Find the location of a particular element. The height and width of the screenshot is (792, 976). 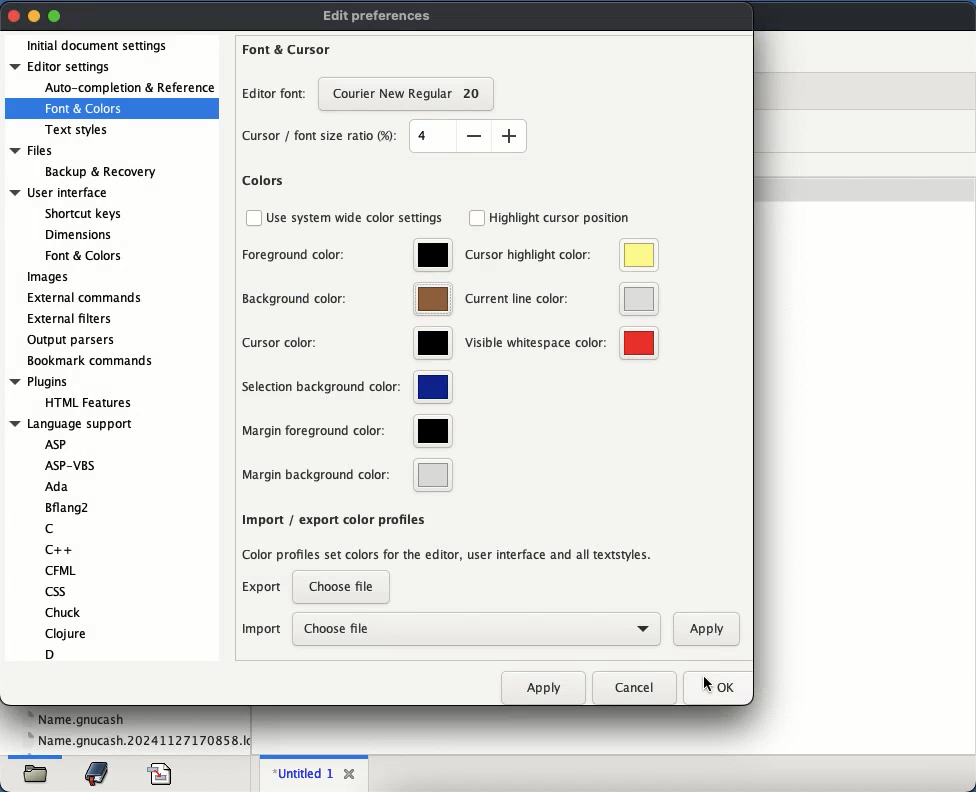

Files is located at coordinates (33, 149).